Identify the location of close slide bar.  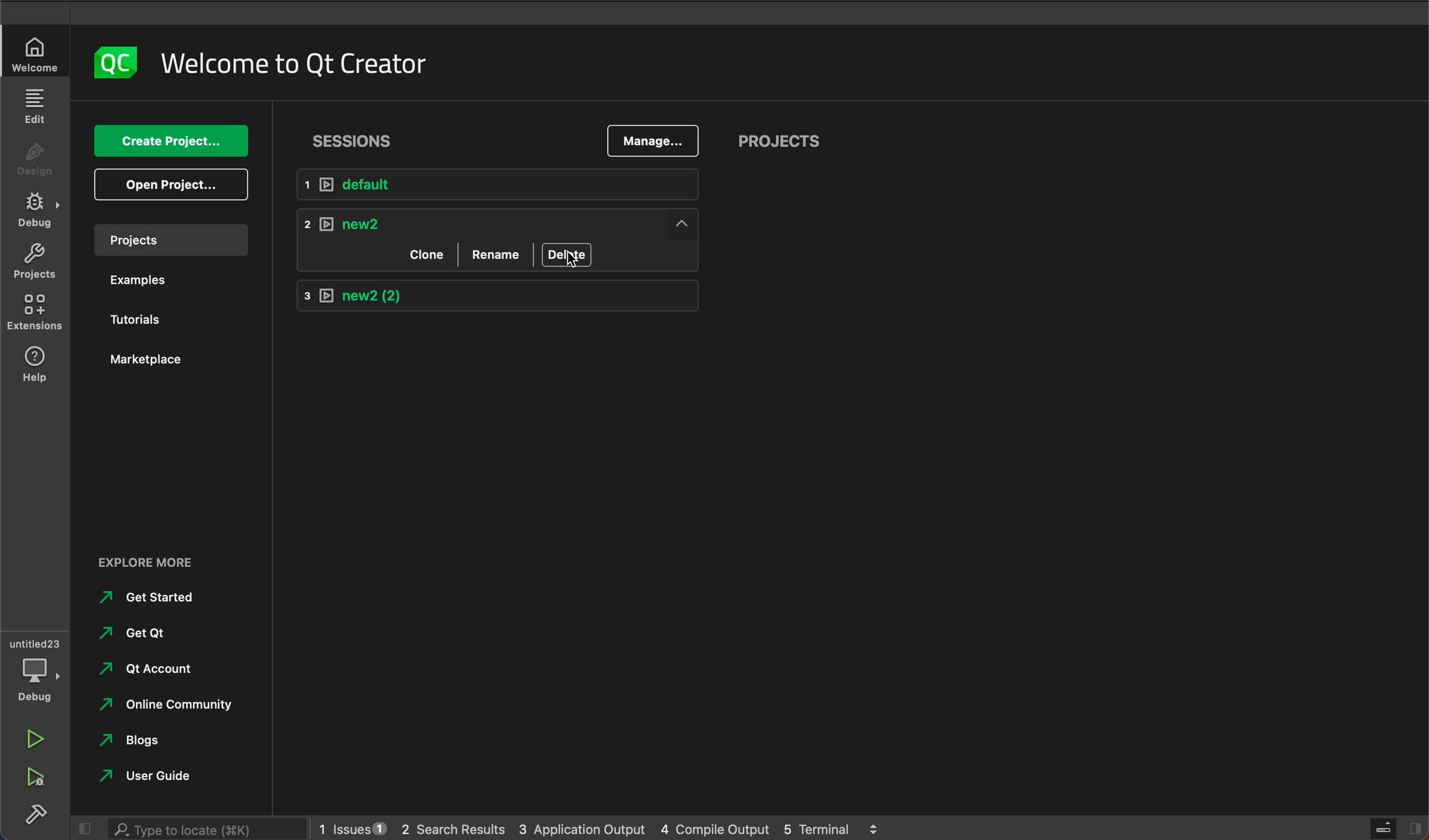
(86, 828).